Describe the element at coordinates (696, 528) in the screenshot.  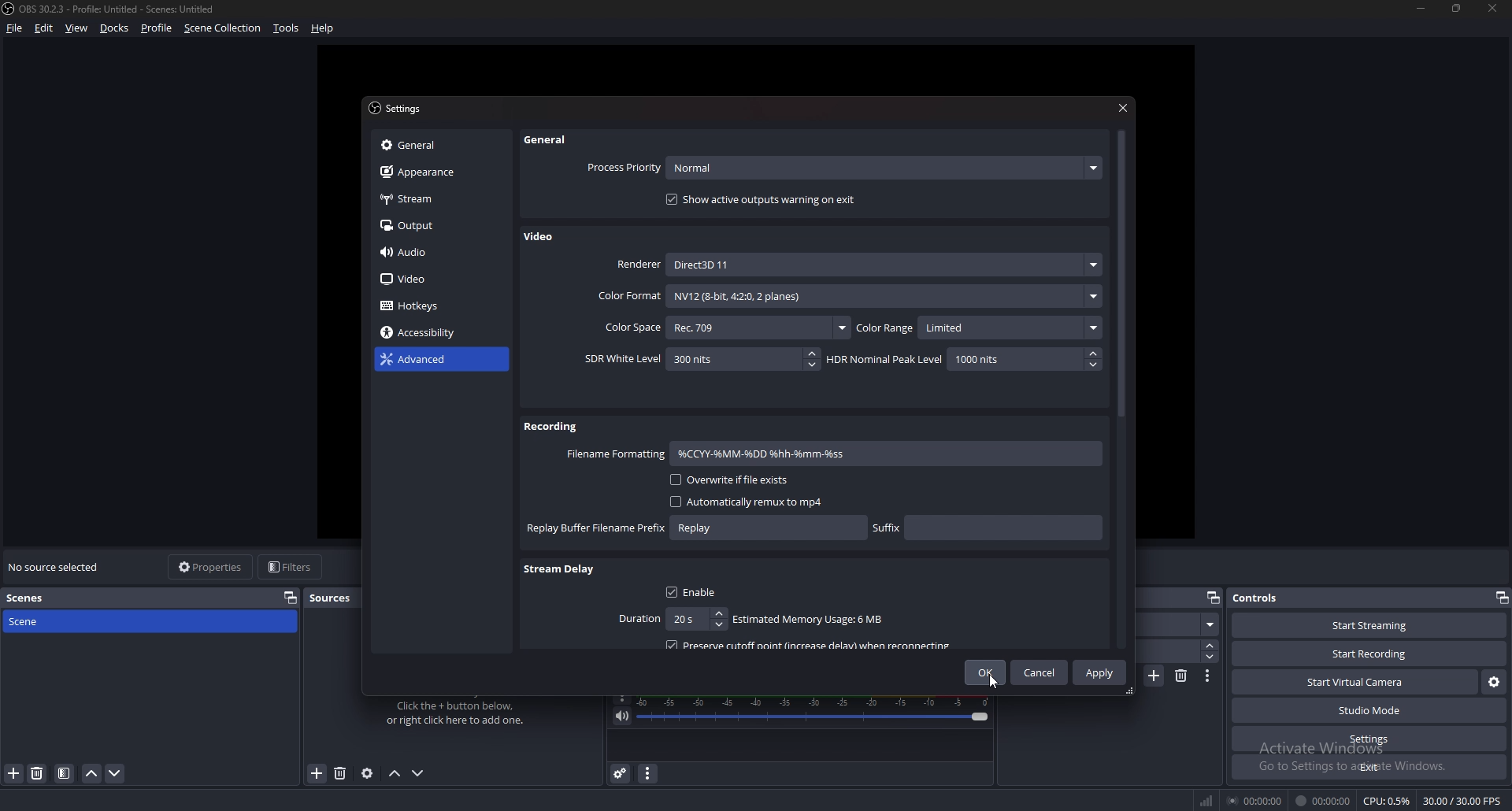
I see `replay buffer file name prefix` at that location.